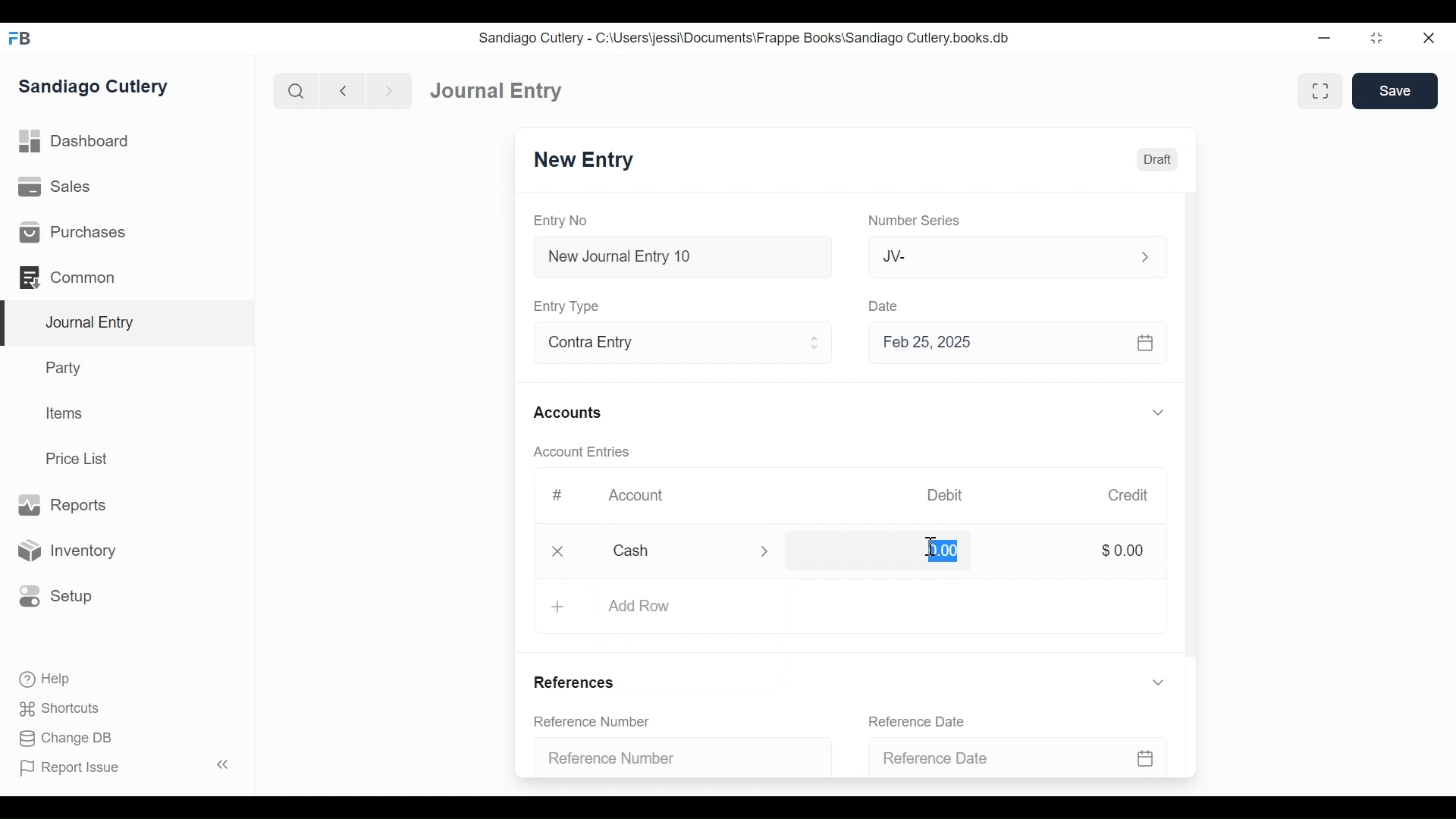 The width and height of the screenshot is (1456, 819). What do you see at coordinates (19, 38) in the screenshot?
I see `Frappe Books Desktop icon` at bounding box center [19, 38].